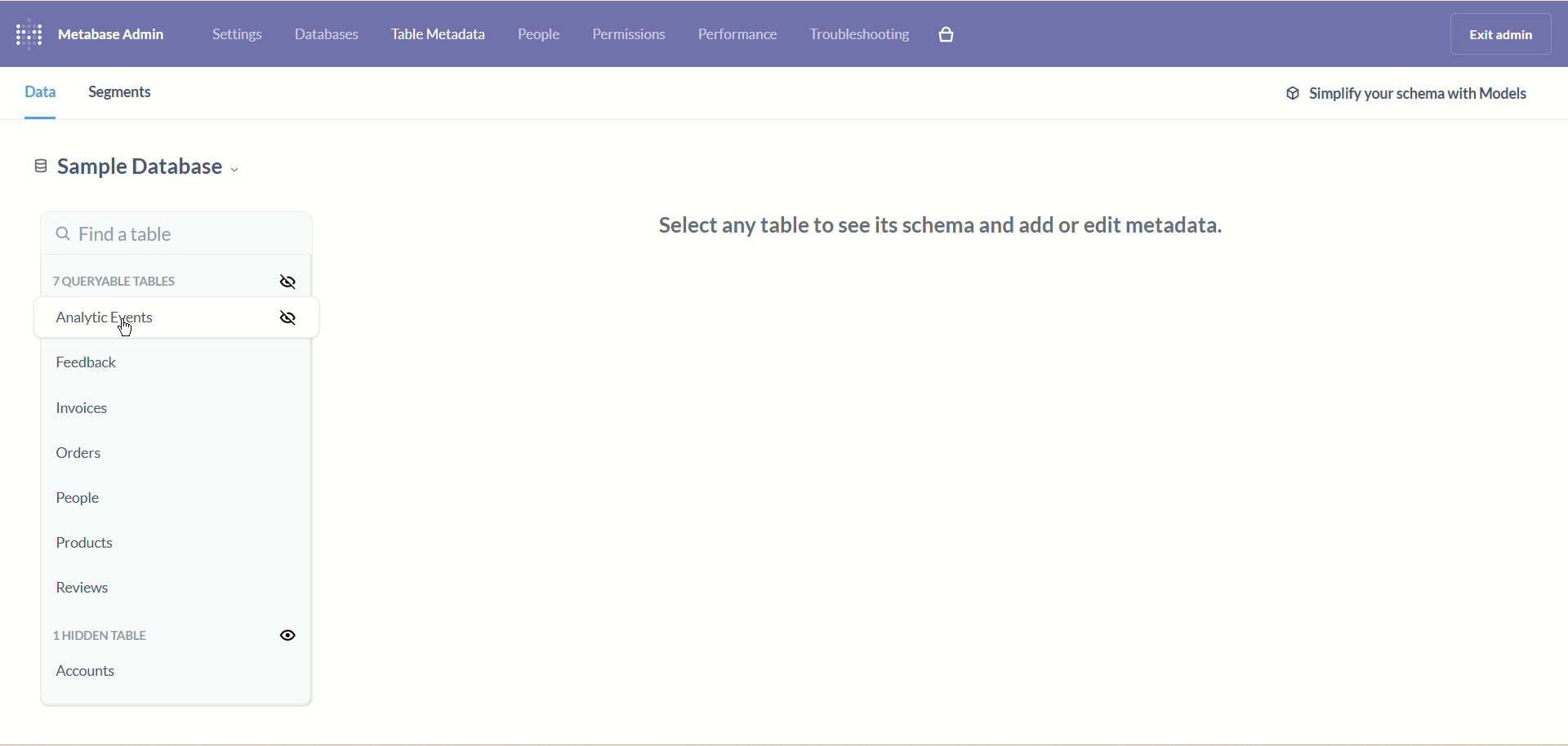 The height and width of the screenshot is (746, 1568). I want to click on Segments, so click(123, 93).